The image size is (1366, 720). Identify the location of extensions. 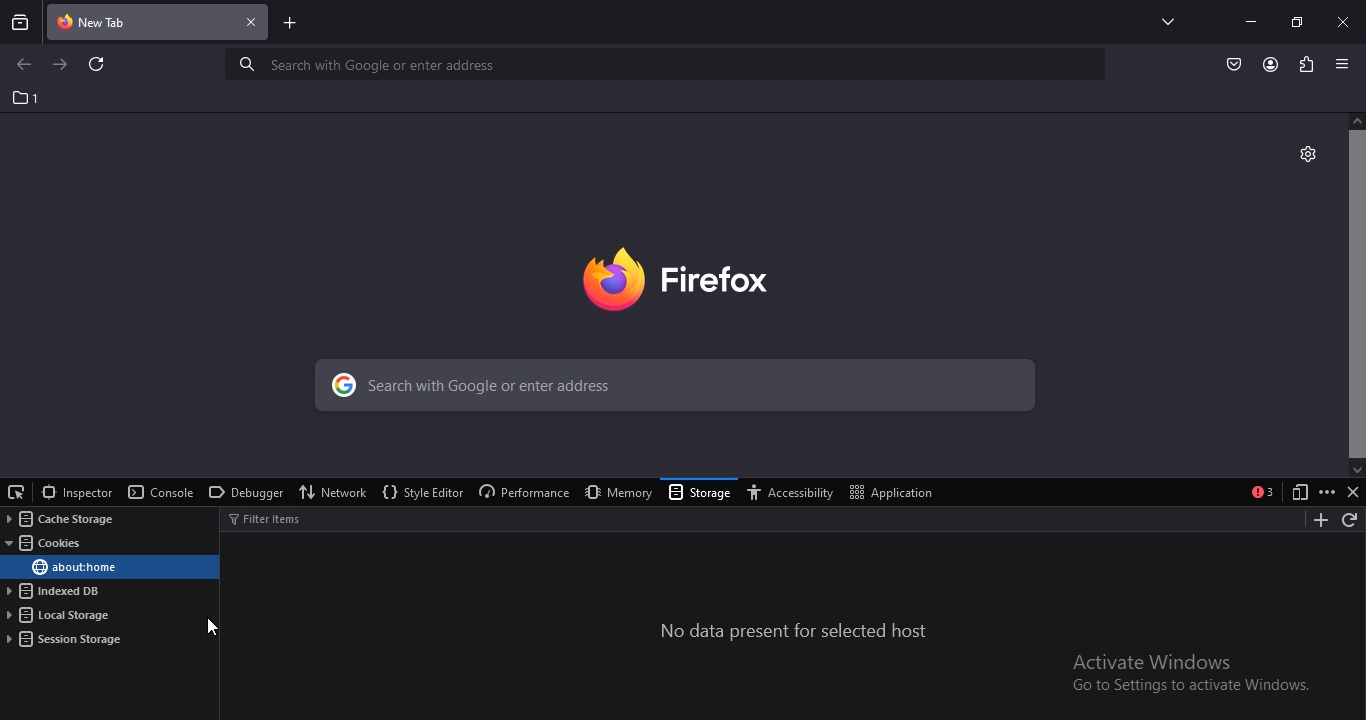
(1304, 63).